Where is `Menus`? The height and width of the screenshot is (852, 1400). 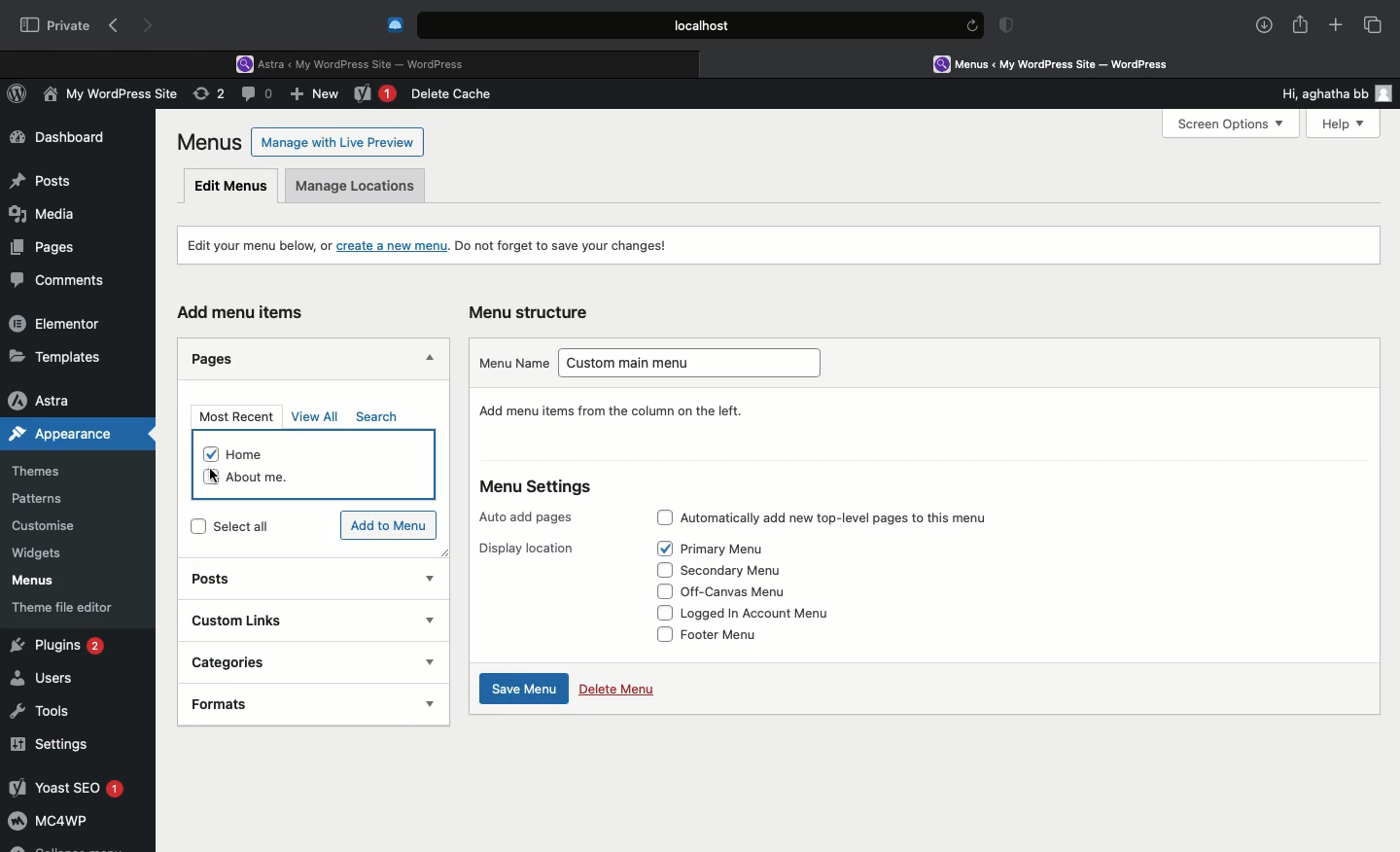
Menus is located at coordinates (211, 142).